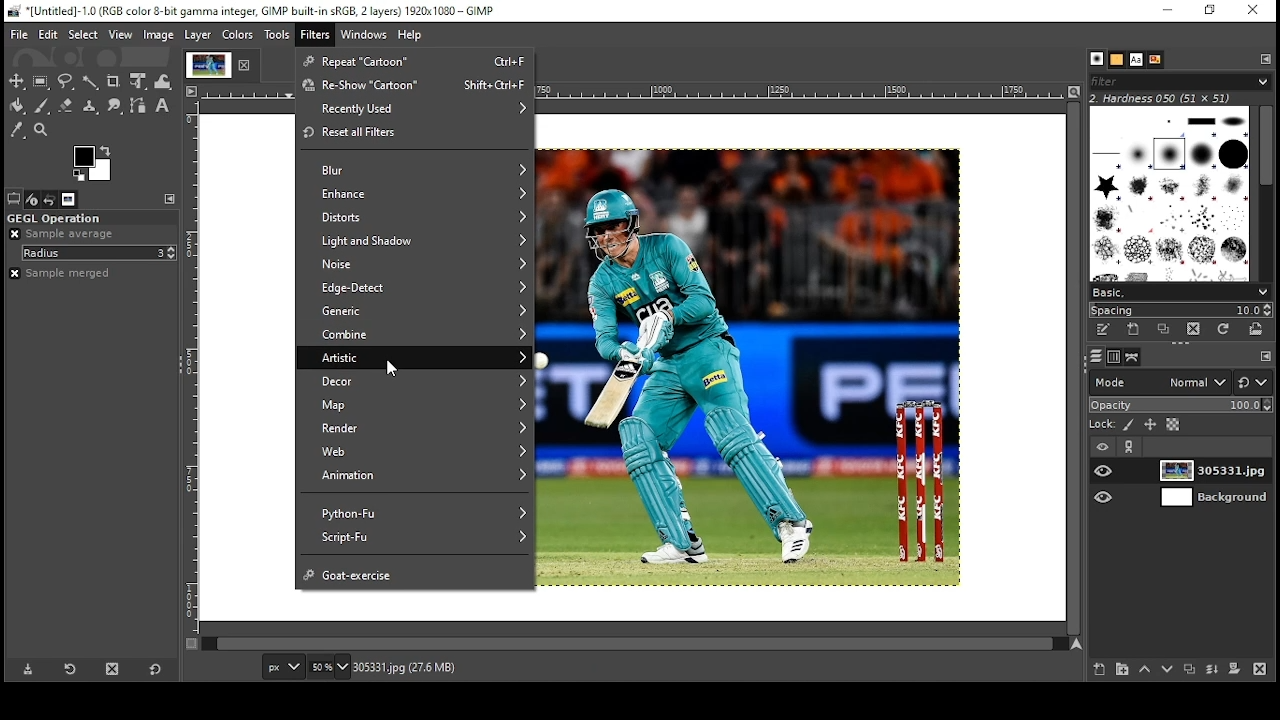 This screenshot has width=1280, height=720. What do you see at coordinates (1106, 473) in the screenshot?
I see `layer on/off` at bounding box center [1106, 473].